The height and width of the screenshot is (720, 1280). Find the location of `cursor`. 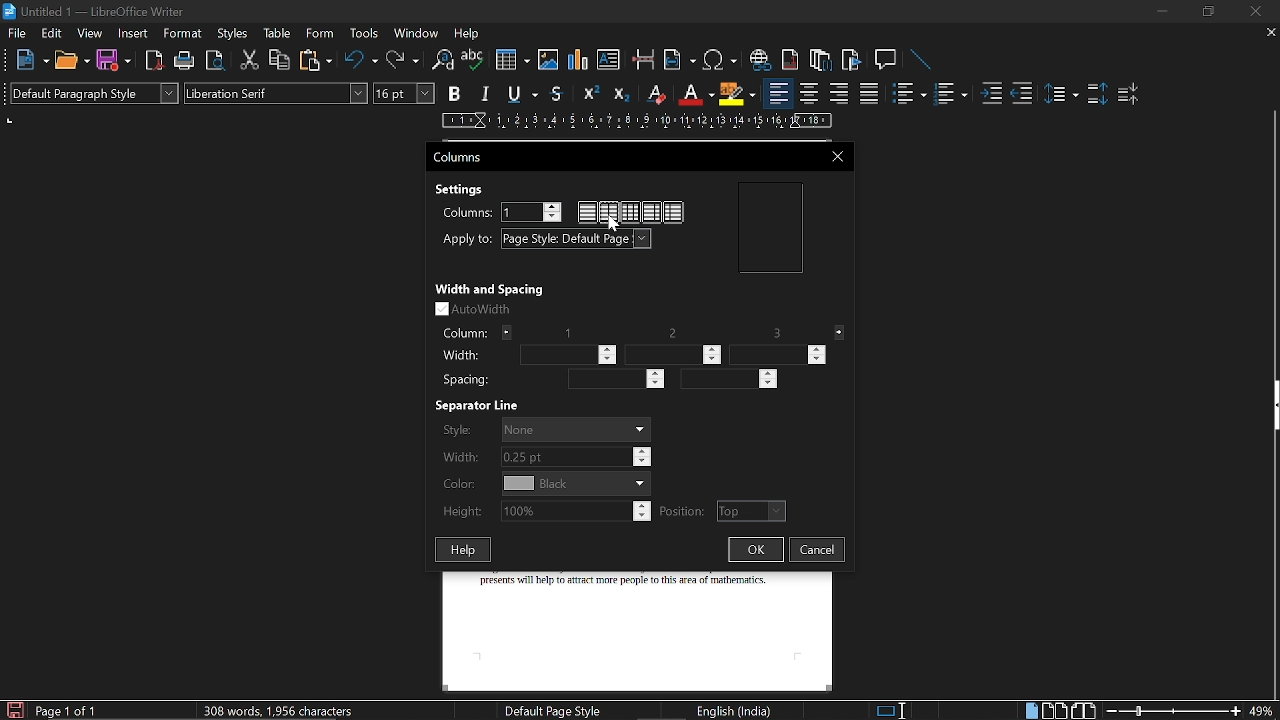

cursor is located at coordinates (614, 225).